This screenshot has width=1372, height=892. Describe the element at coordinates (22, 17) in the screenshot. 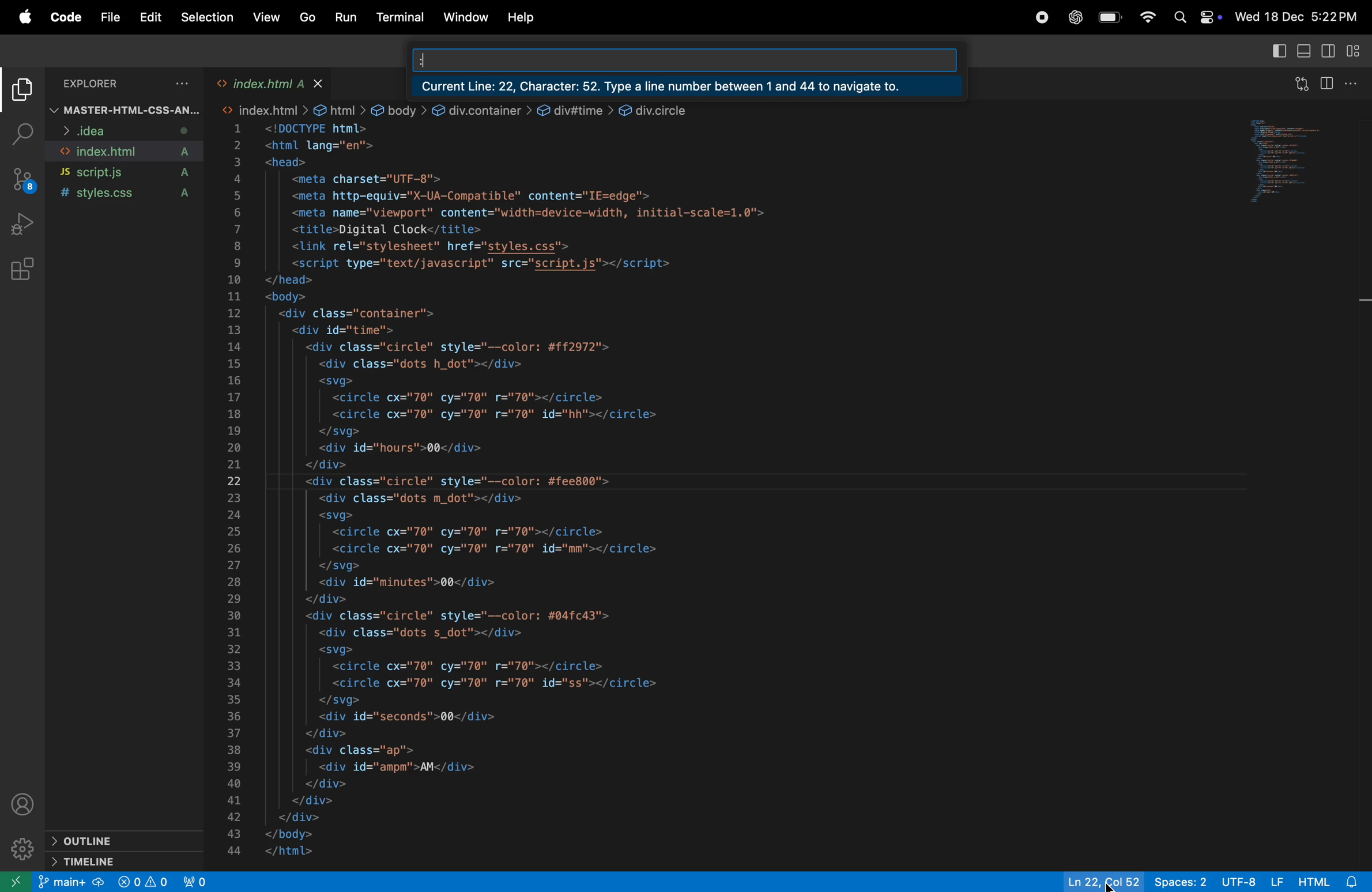

I see `apple menu` at that location.